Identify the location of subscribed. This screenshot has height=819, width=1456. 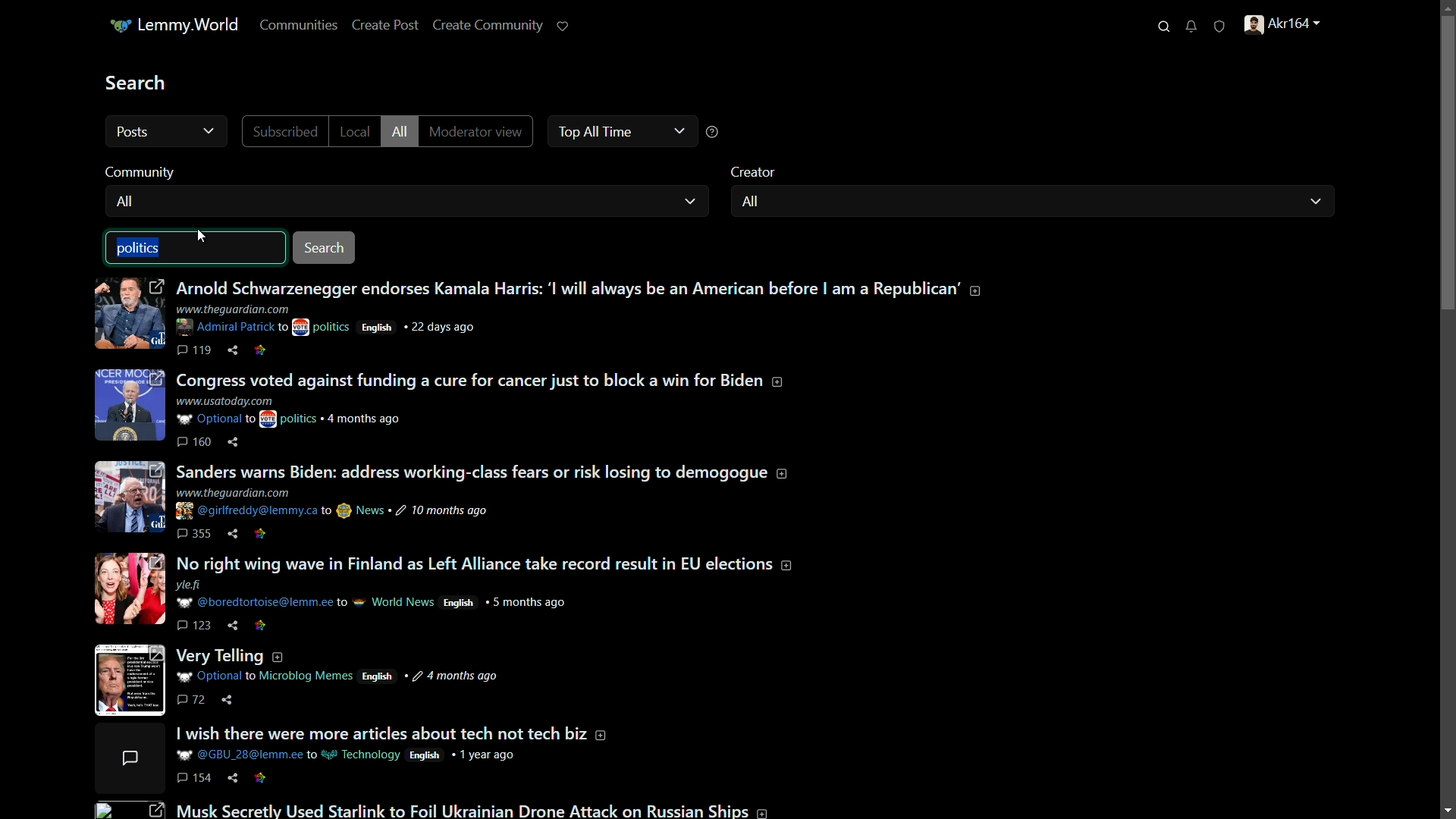
(293, 132).